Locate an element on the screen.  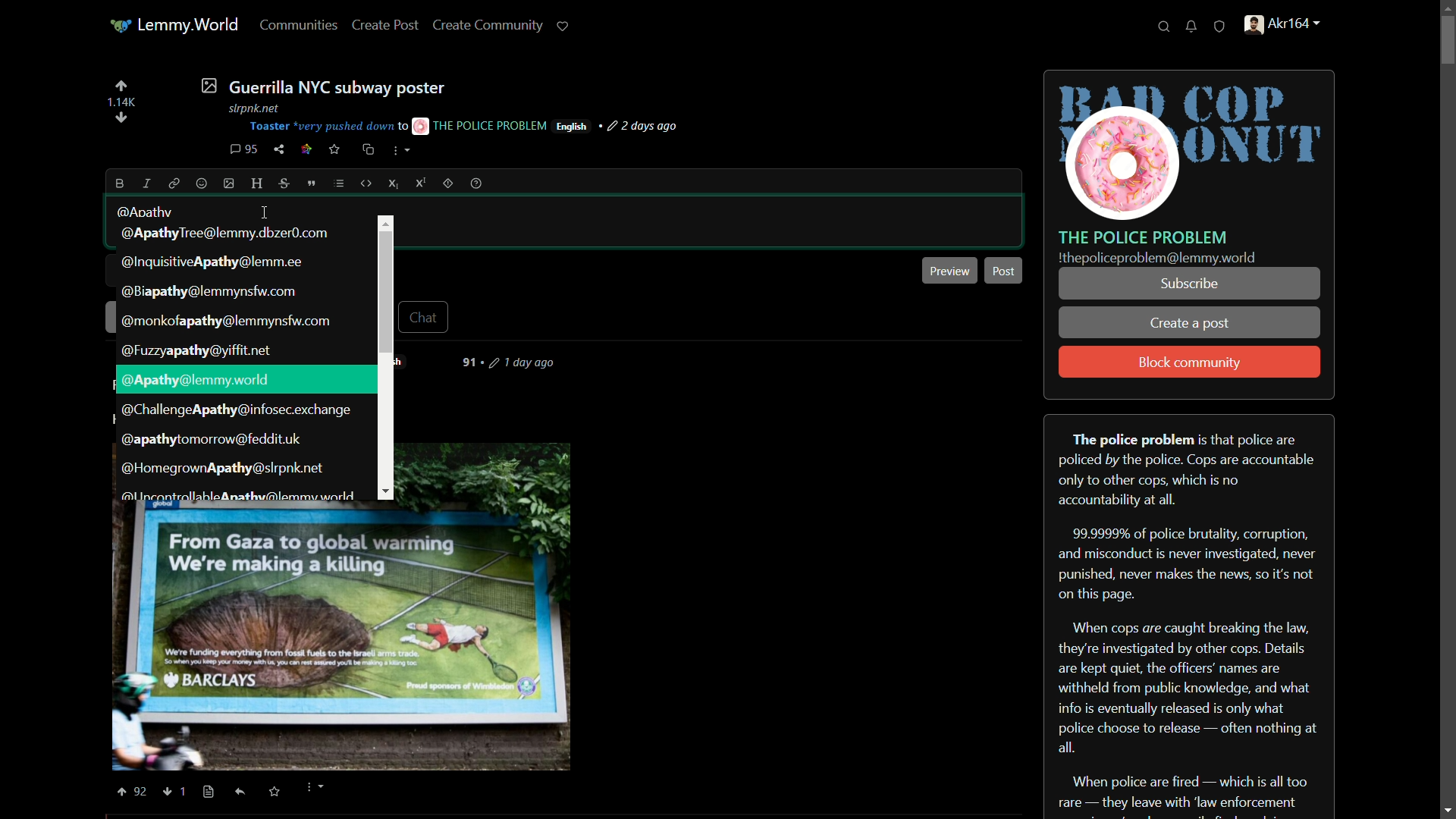
scroll bar is located at coordinates (385, 290).